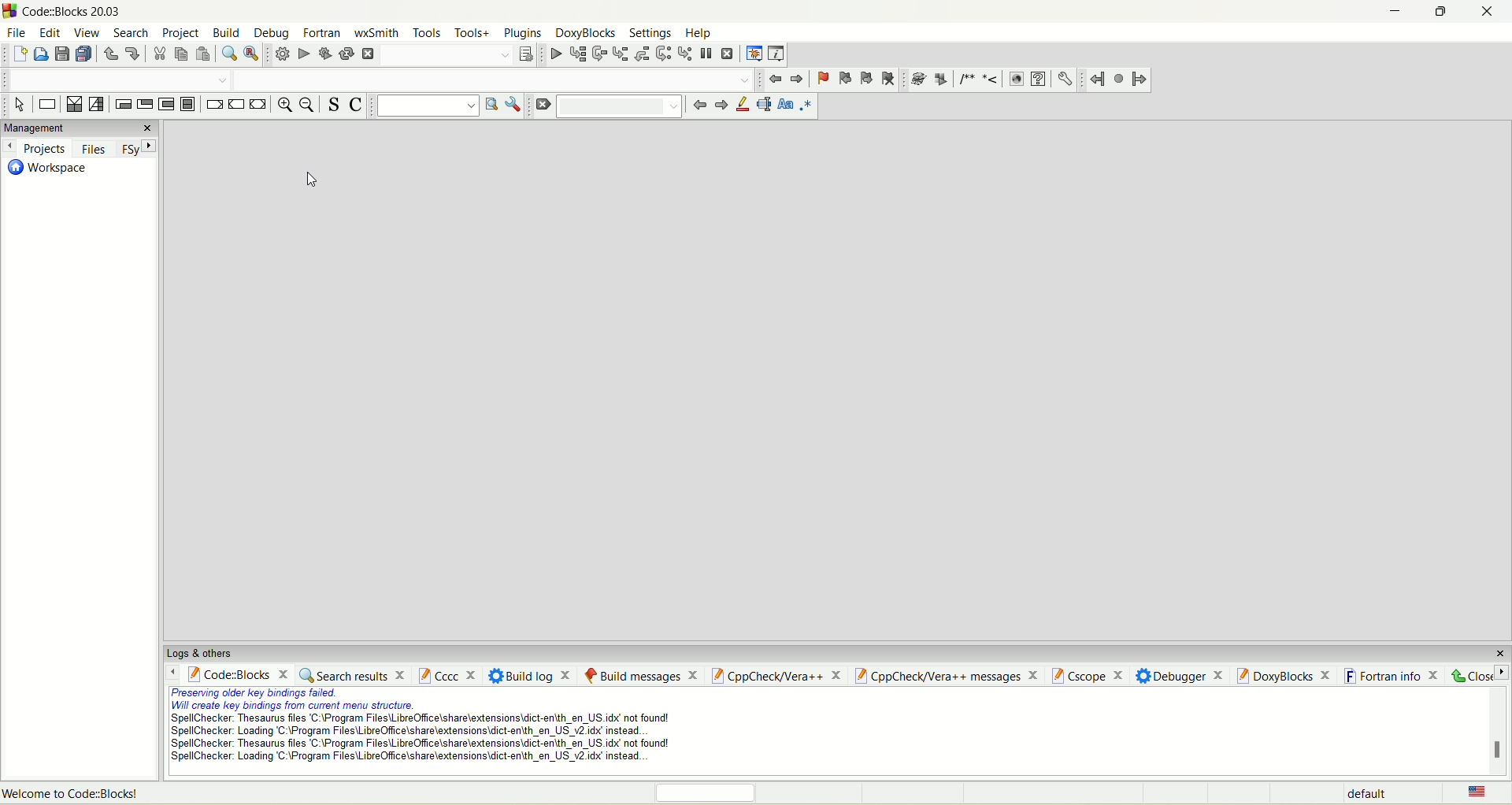 This screenshot has width=1512, height=805. I want to click on previous, so click(698, 108).